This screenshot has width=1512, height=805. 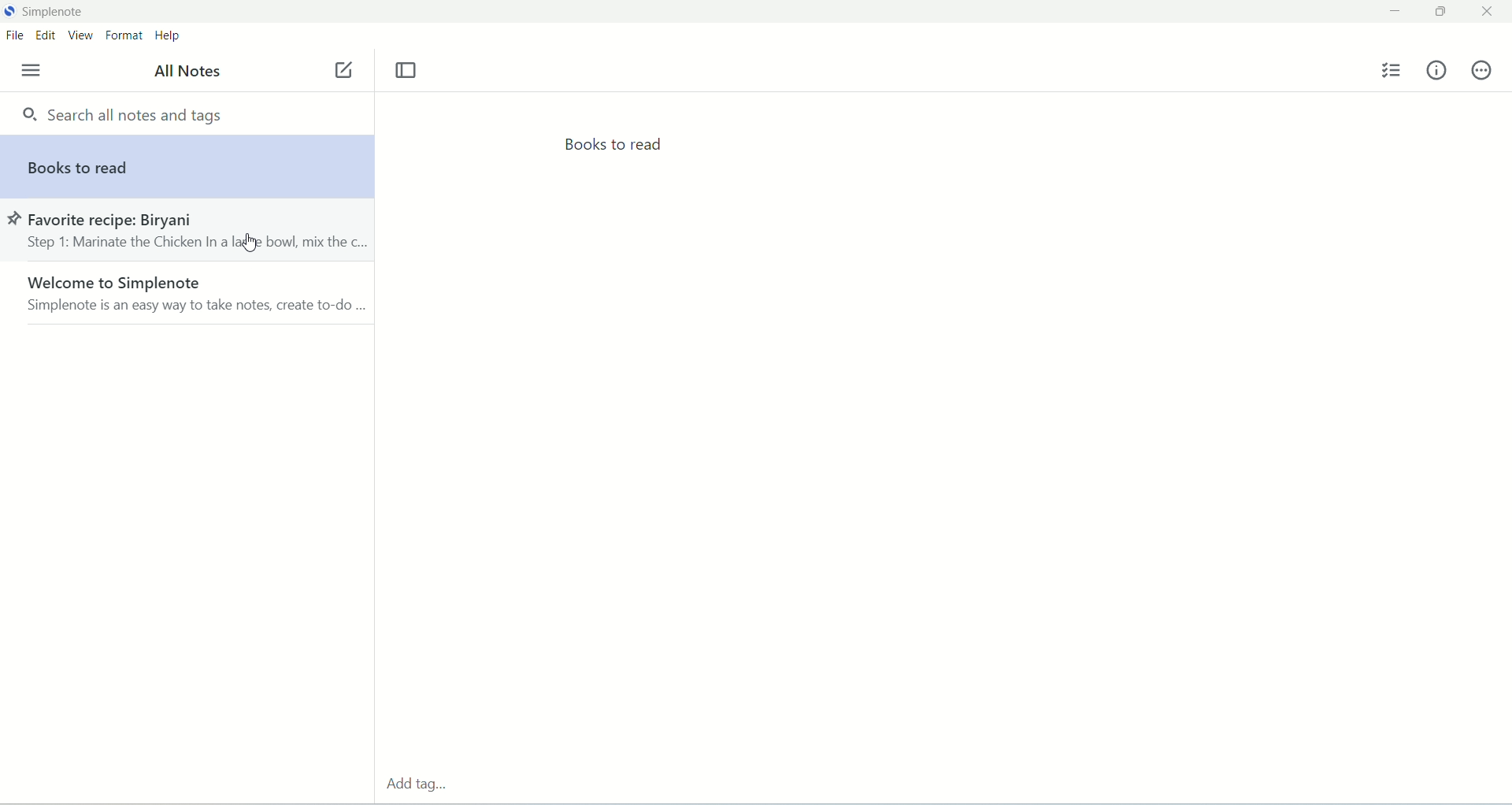 I want to click on minimize, so click(x=1392, y=12).